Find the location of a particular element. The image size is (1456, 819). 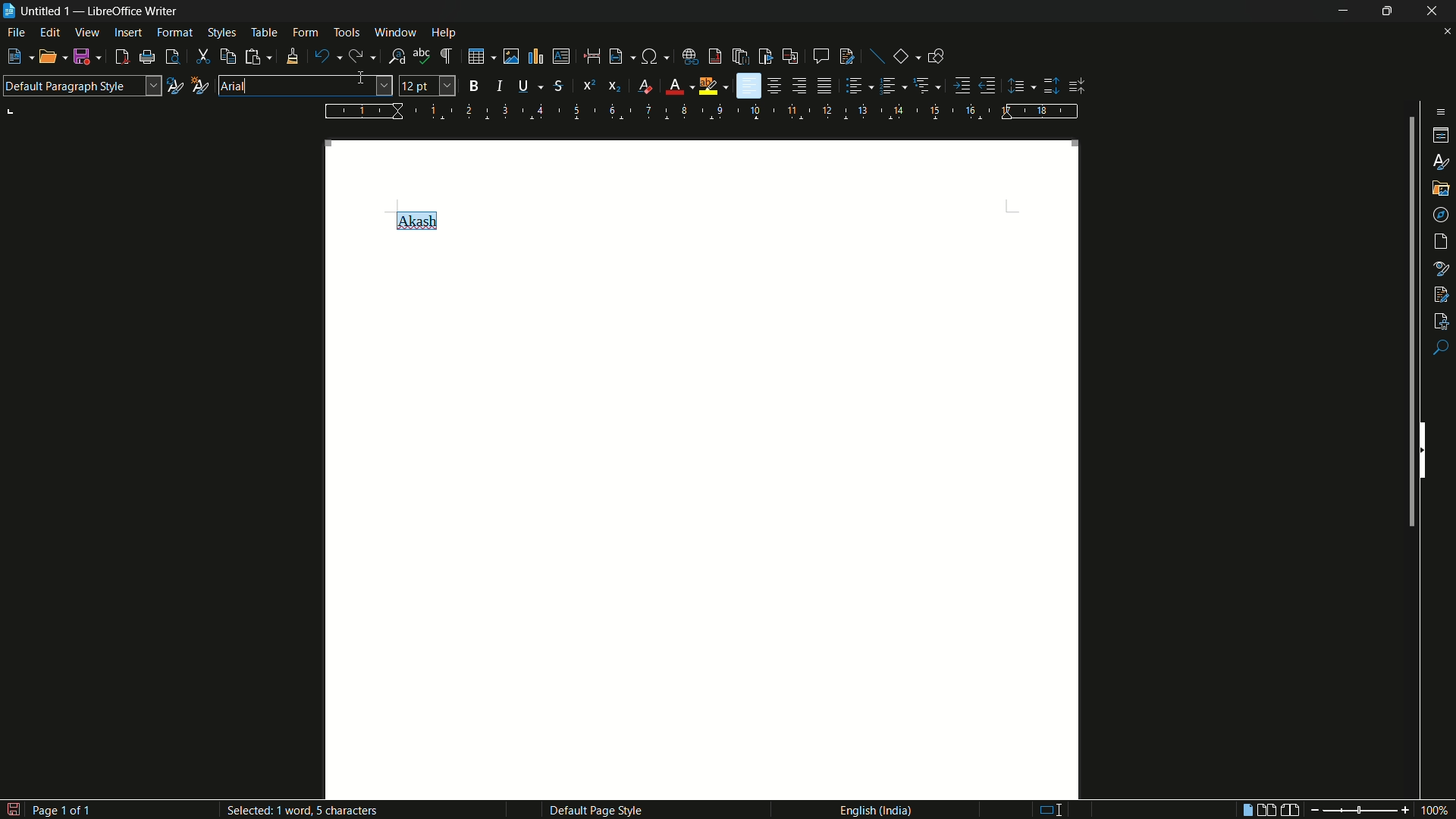

new file is located at coordinates (14, 57).